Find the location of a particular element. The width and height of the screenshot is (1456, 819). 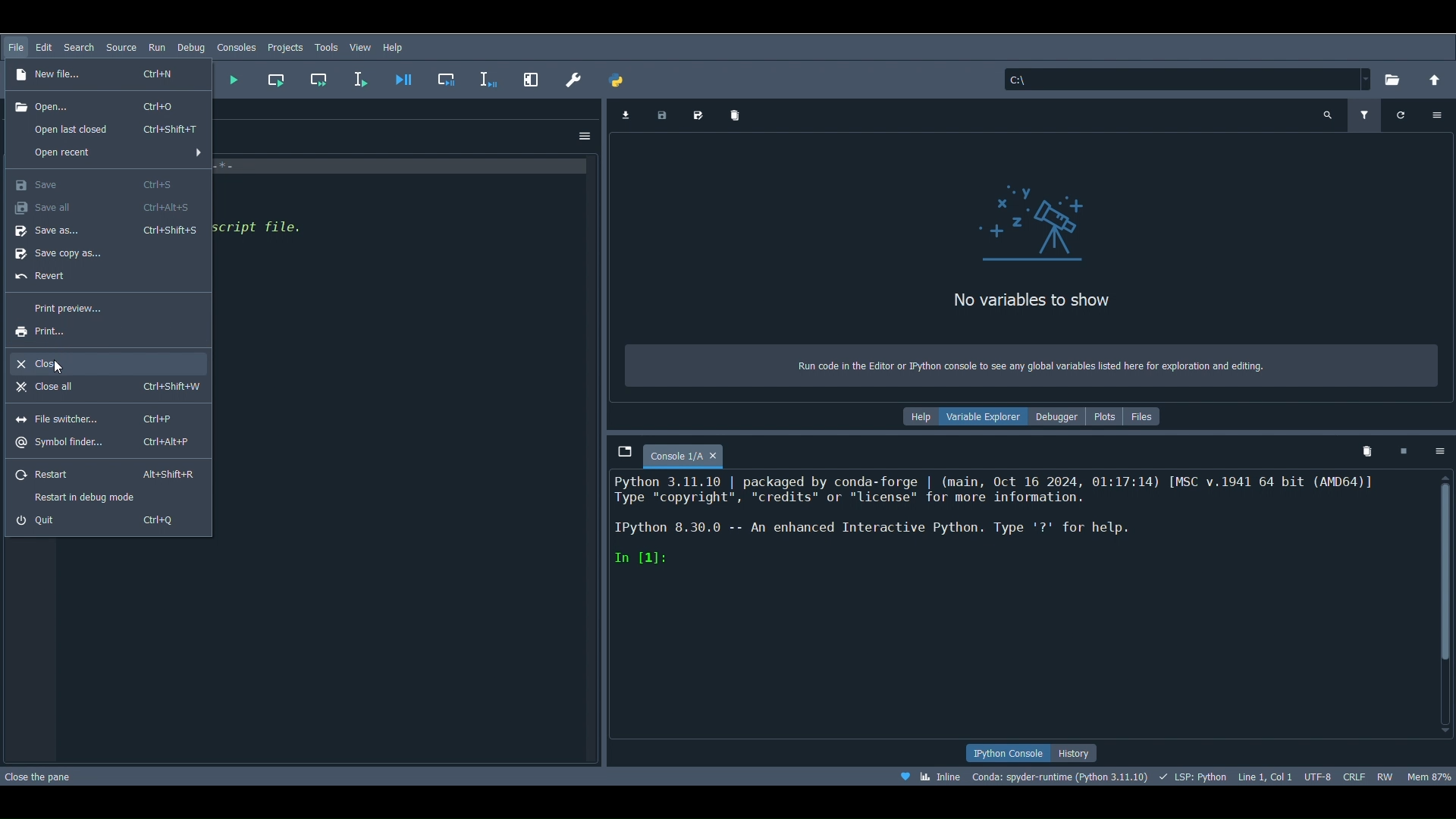

Filter variables is located at coordinates (1366, 111).